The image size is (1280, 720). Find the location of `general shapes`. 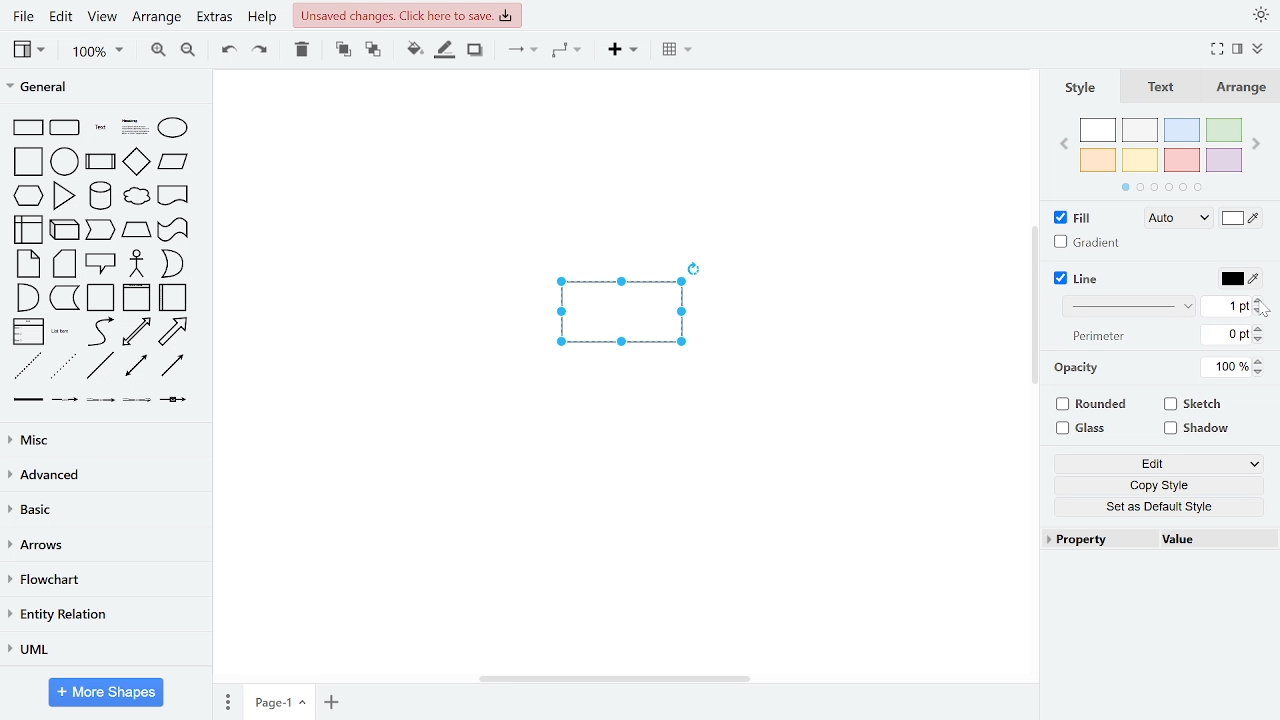

general shapes is located at coordinates (100, 365).